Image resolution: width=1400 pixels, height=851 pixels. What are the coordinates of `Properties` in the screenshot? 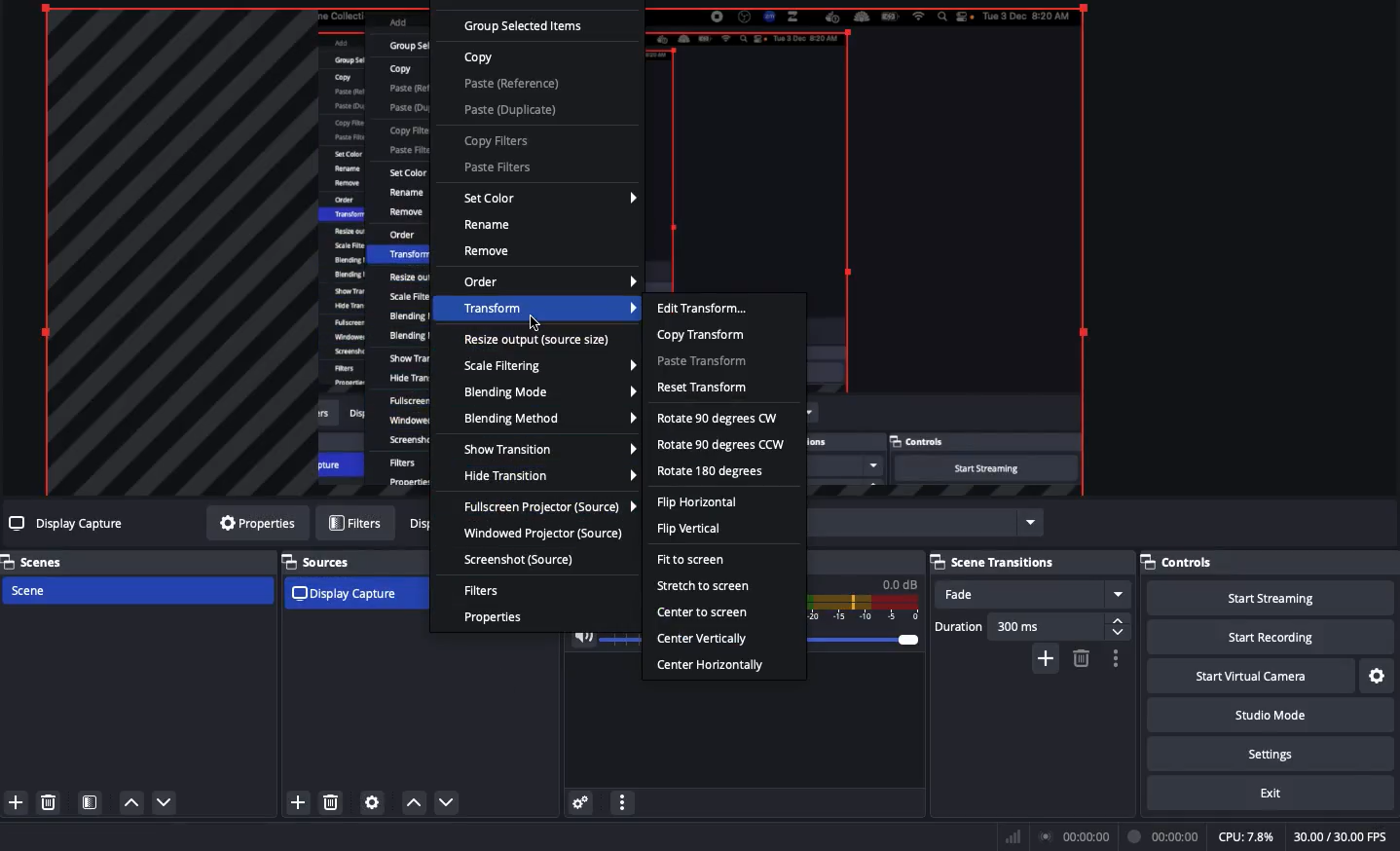 It's located at (256, 525).